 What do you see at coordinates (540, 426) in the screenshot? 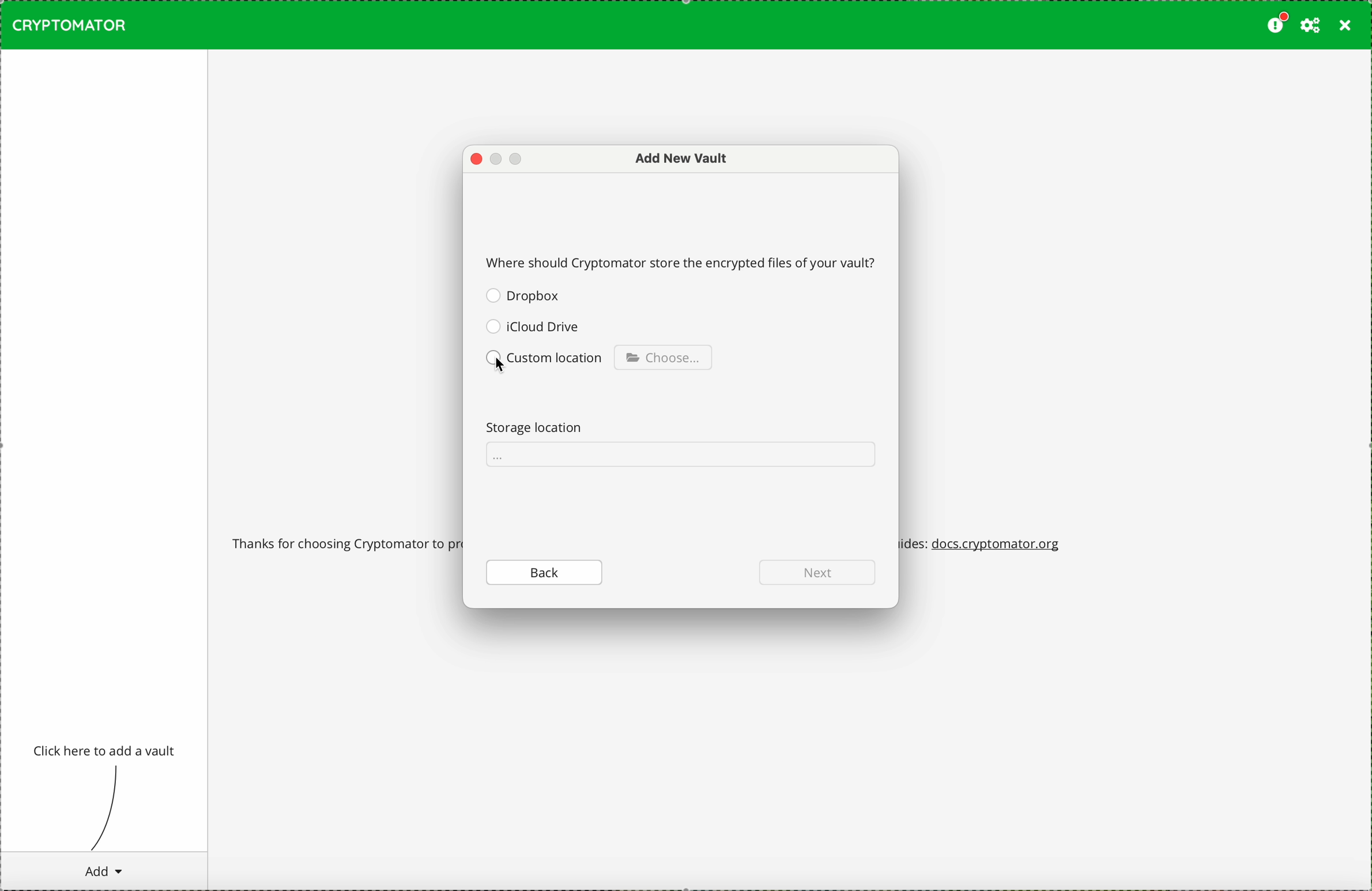
I see `storage location` at bounding box center [540, 426].